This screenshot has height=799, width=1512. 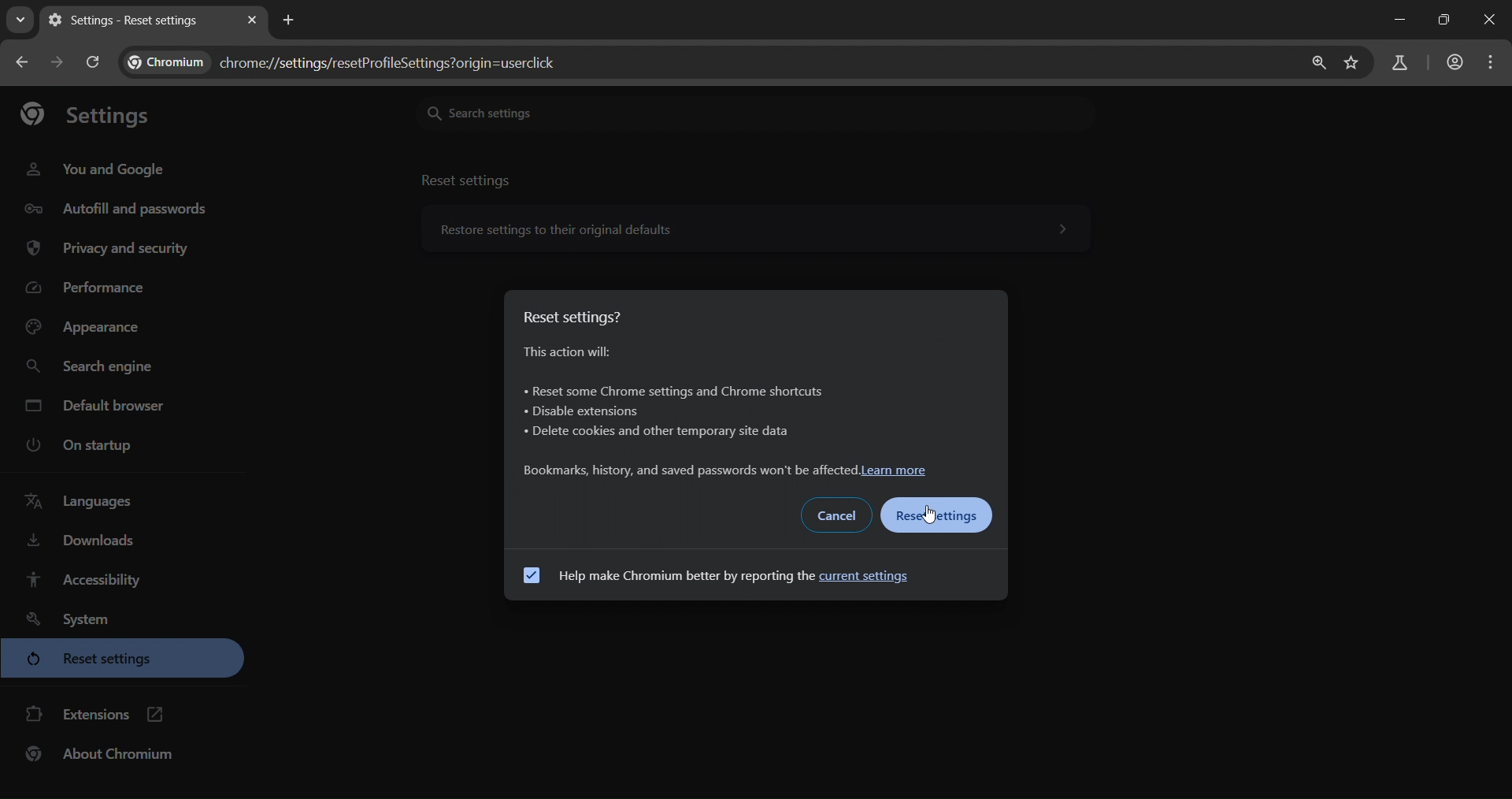 What do you see at coordinates (84, 579) in the screenshot?
I see `accessibility` at bounding box center [84, 579].